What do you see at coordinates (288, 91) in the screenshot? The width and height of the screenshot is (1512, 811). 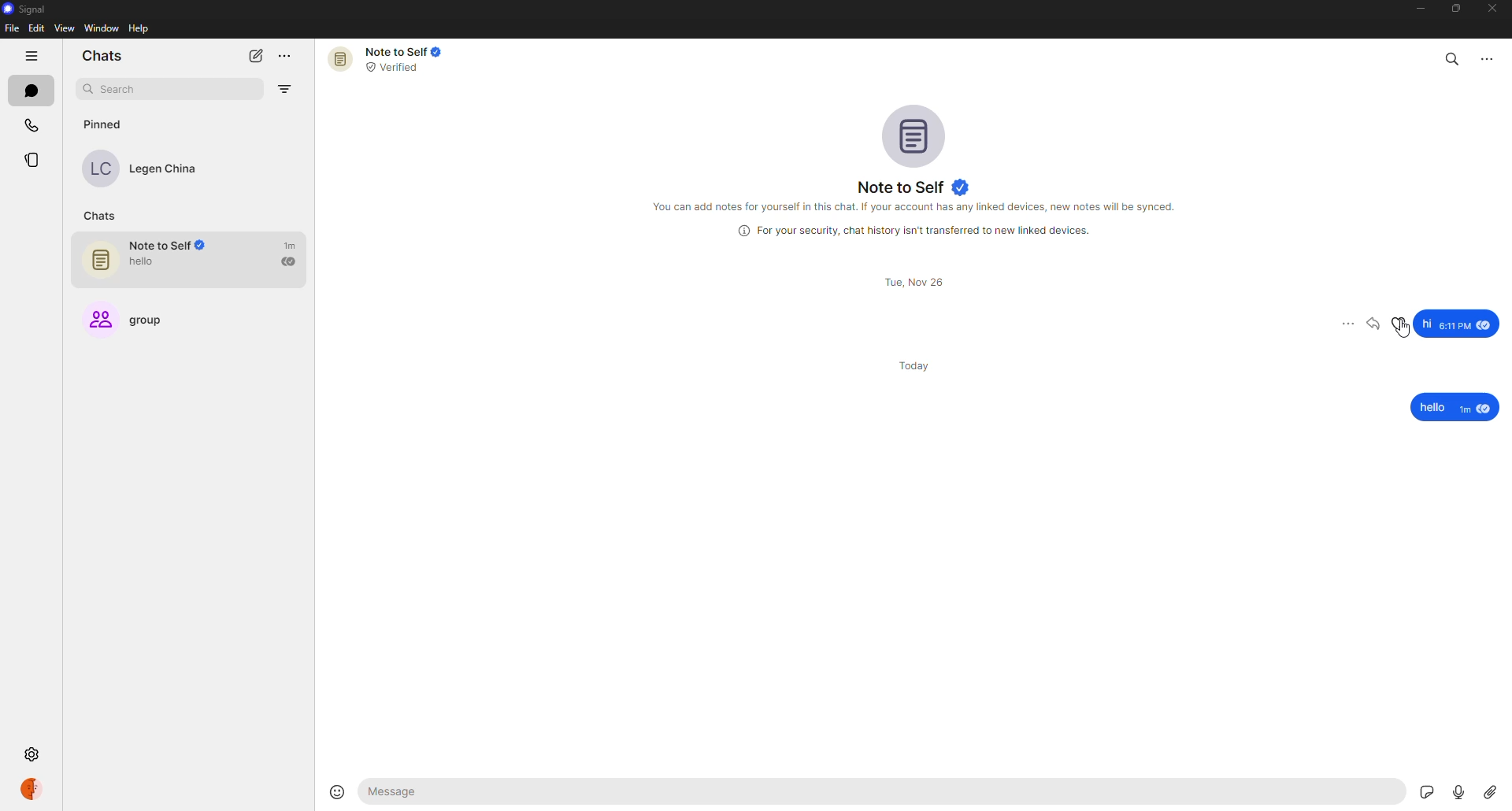 I see `filter` at bounding box center [288, 91].